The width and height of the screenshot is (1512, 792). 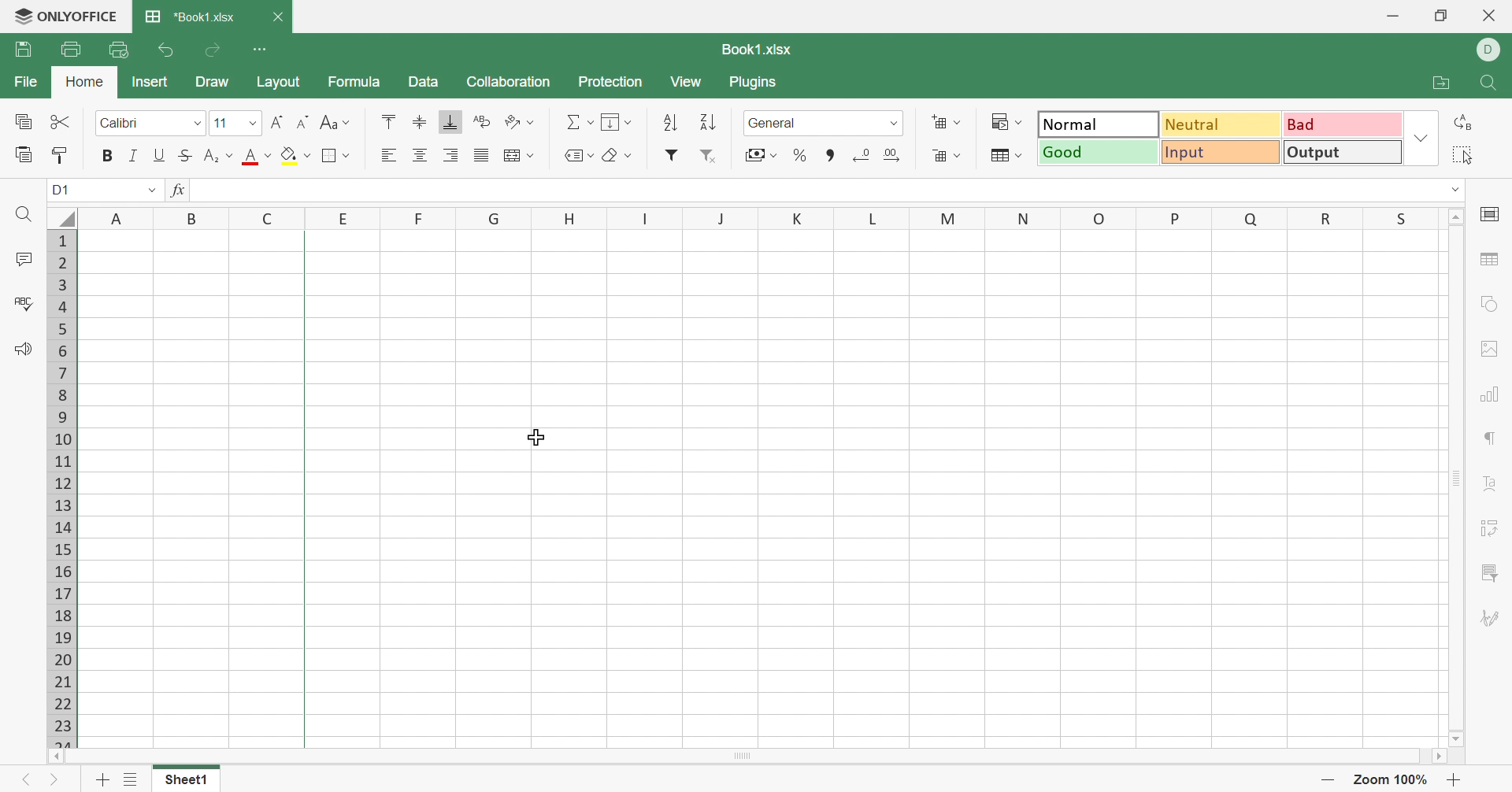 What do you see at coordinates (279, 19) in the screenshot?
I see `close` at bounding box center [279, 19].